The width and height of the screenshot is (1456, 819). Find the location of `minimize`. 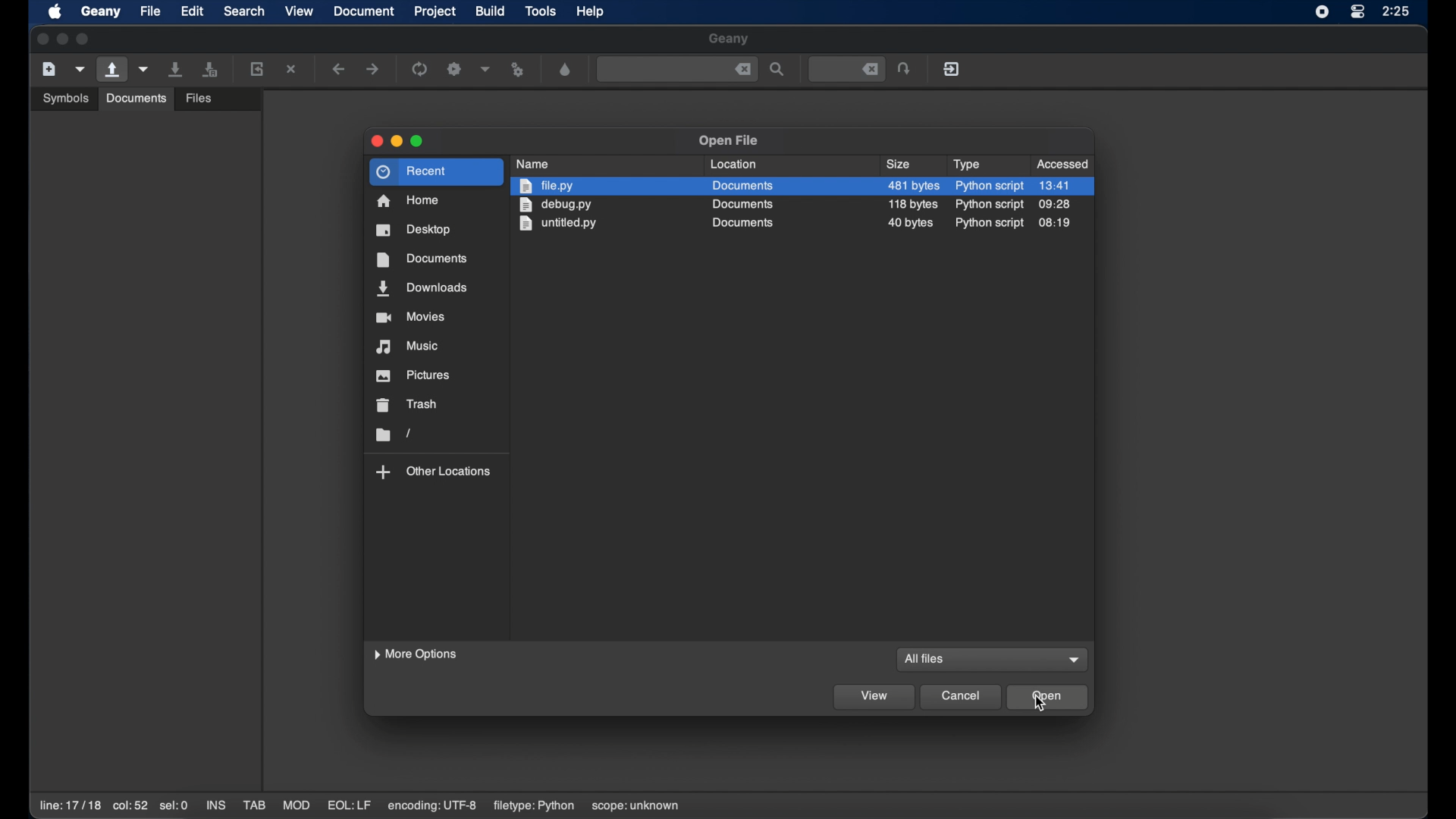

minimize is located at coordinates (397, 142).